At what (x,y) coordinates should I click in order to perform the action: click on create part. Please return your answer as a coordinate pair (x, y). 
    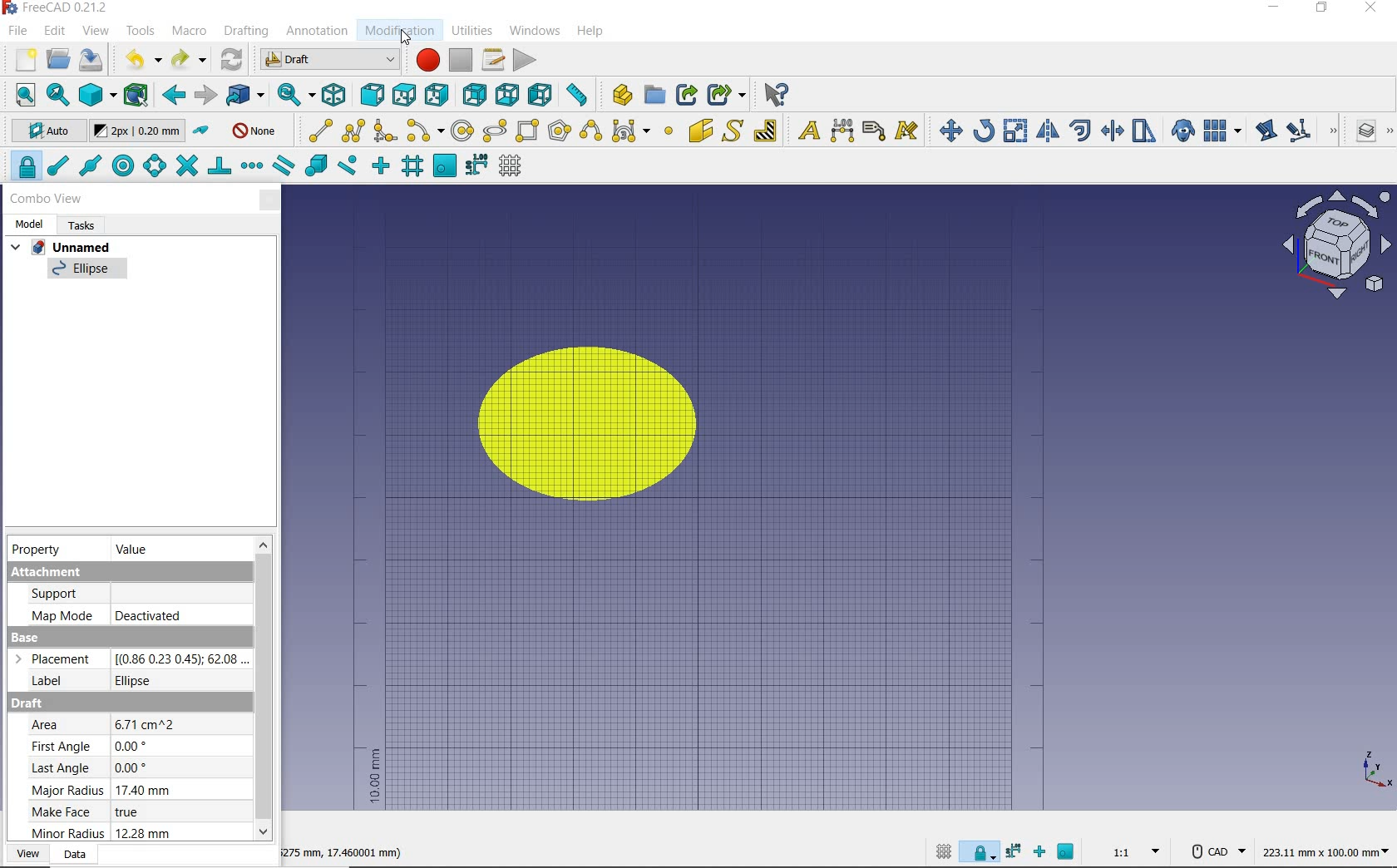
    Looking at the image, I should click on (619, 94).